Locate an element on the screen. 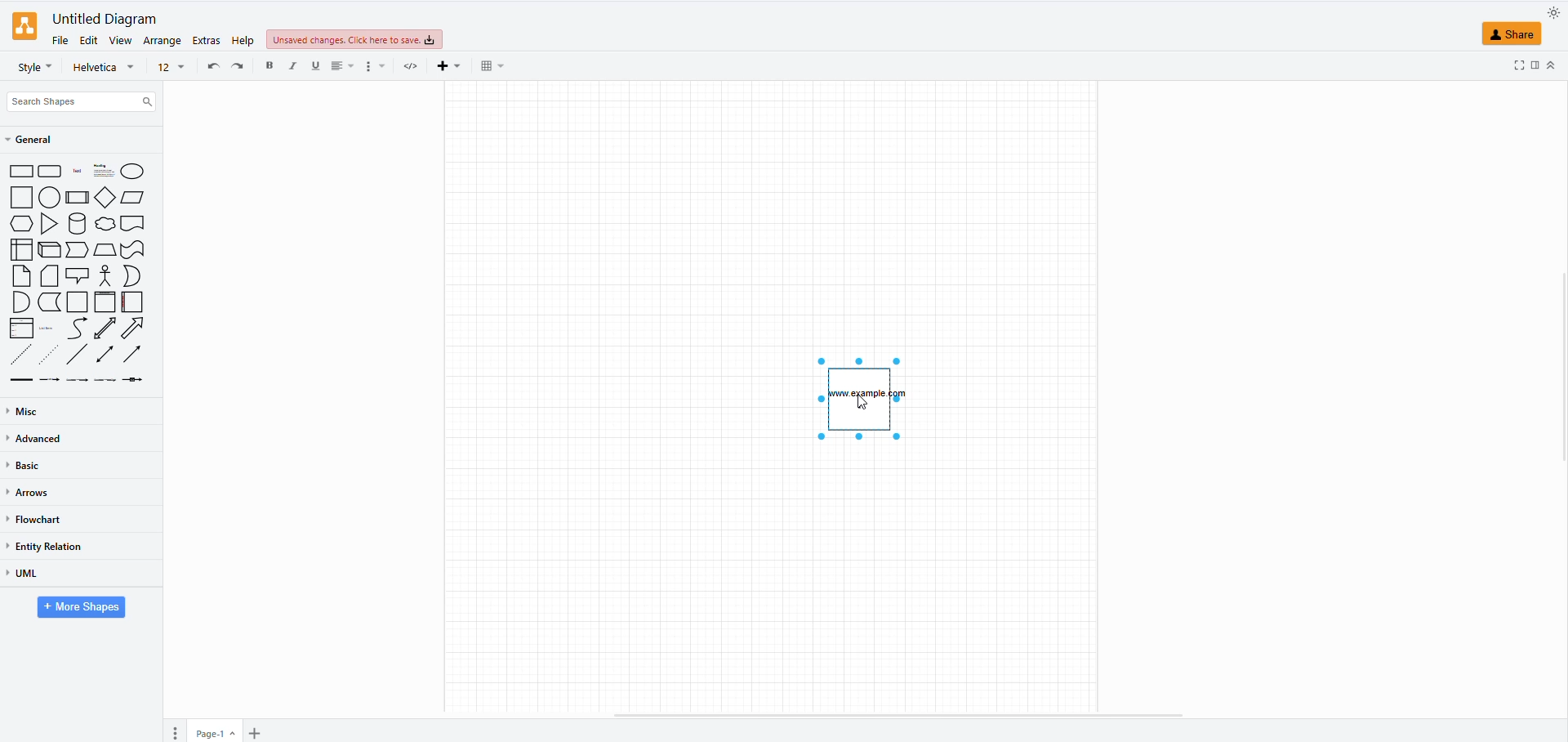 The height and width of the screenshot is (742, 1568). connector with 2 labels is located at coordinates (78, 382).